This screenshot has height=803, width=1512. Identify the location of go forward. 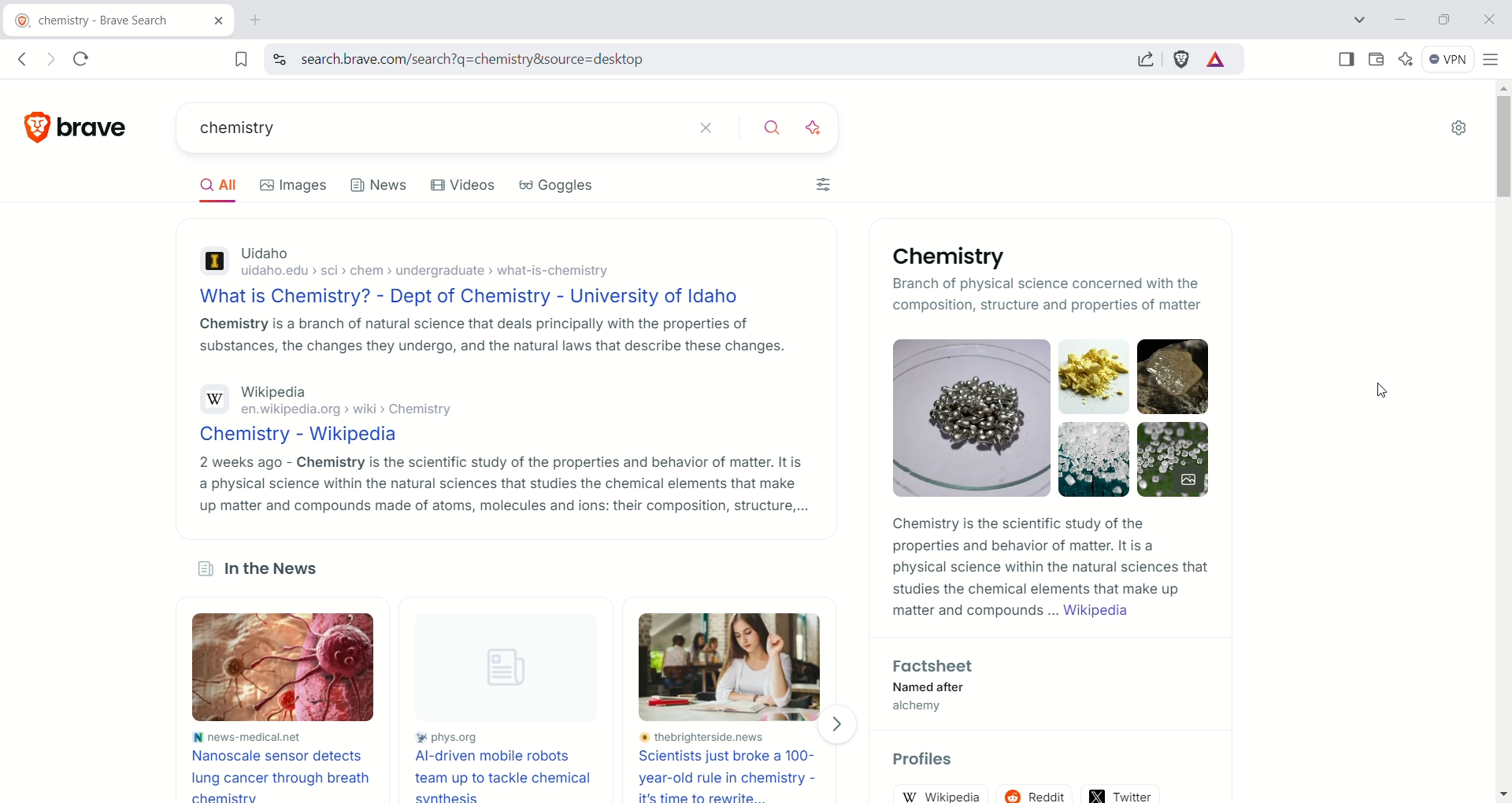
(48, 60).